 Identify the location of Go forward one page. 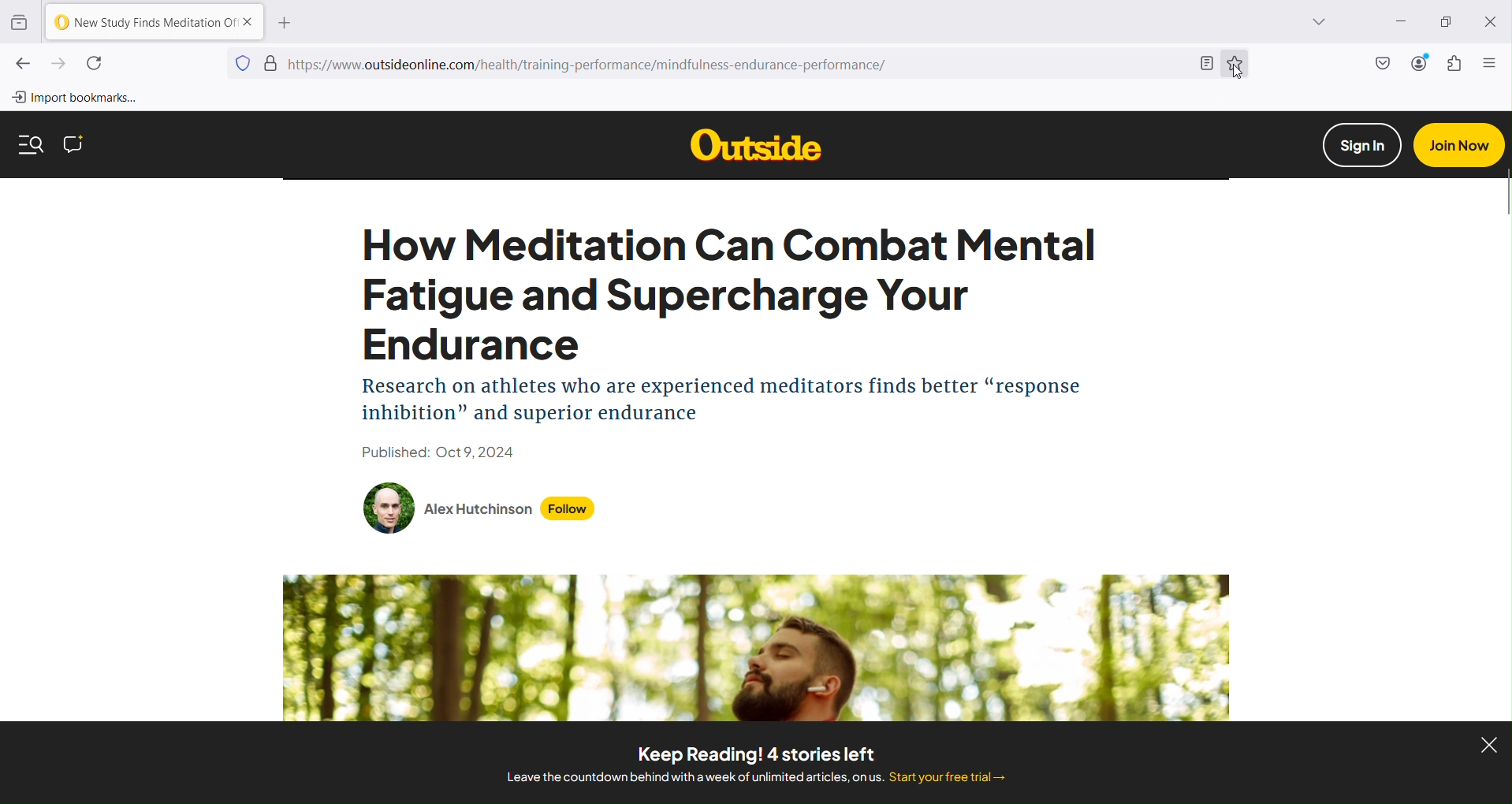
(59, 65).